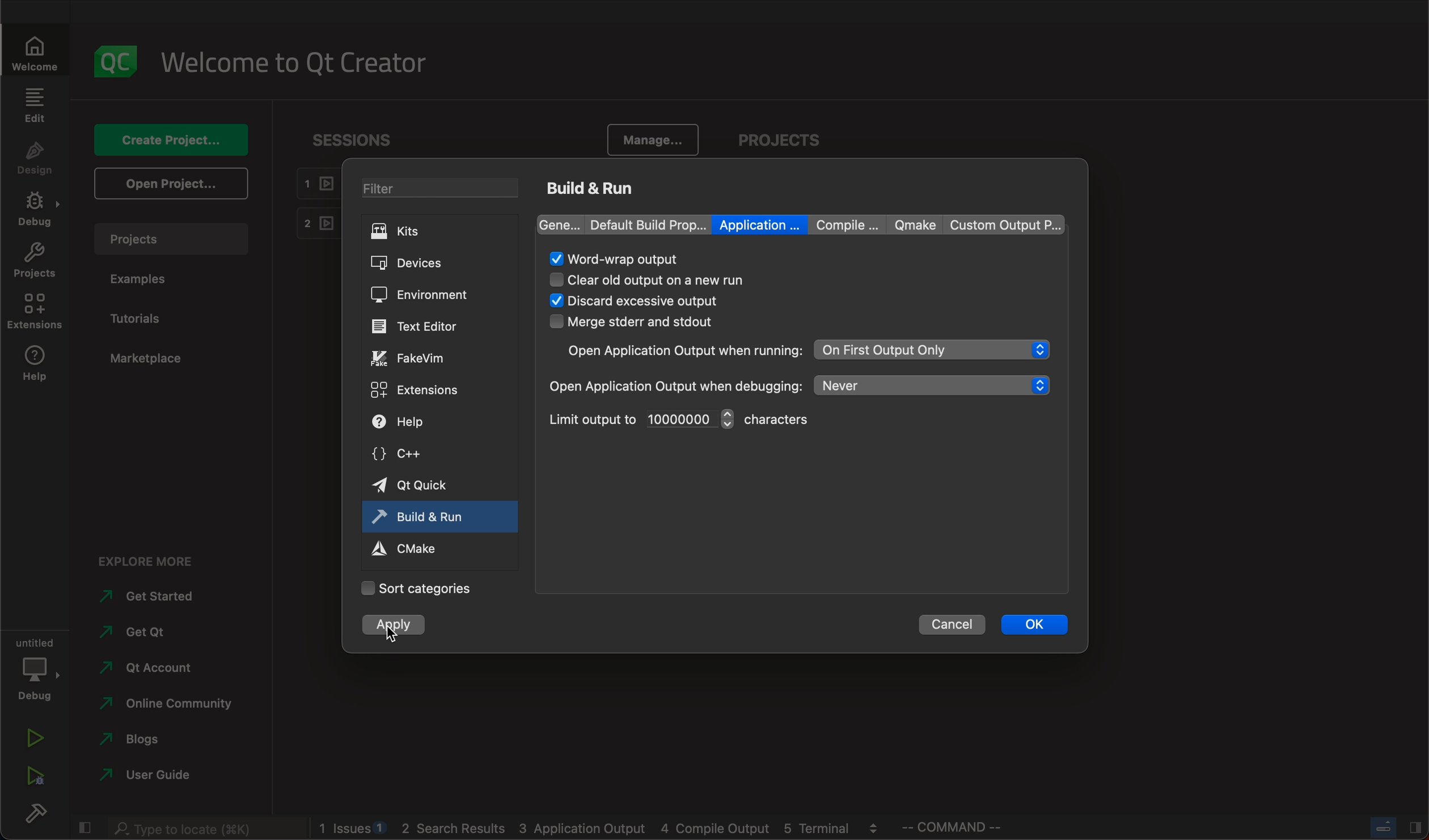 The image size is (1429, 840). I want to click on extensions, so click(33, 313).